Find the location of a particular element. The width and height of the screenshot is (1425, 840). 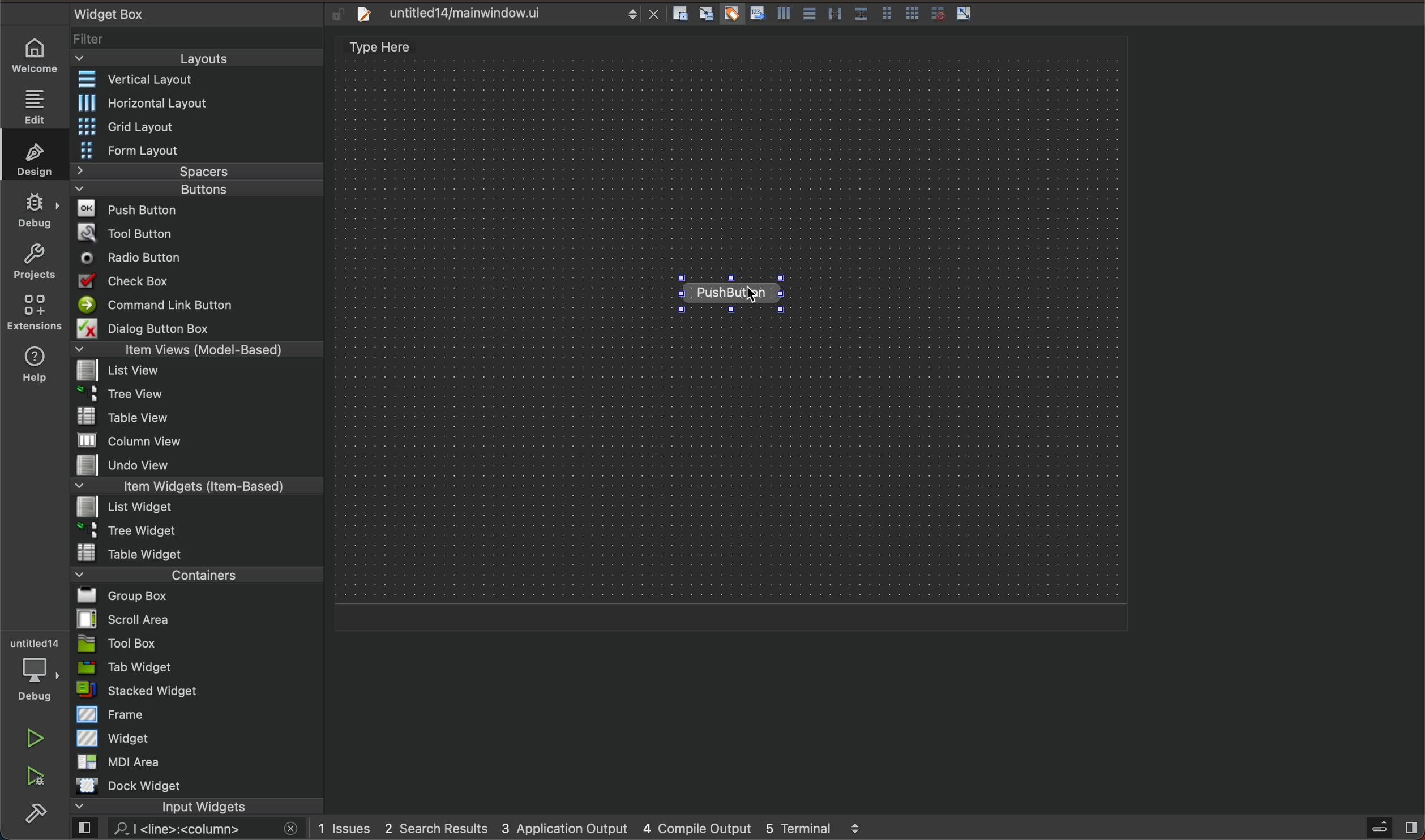

tool box is located at coordinates (200, 644).